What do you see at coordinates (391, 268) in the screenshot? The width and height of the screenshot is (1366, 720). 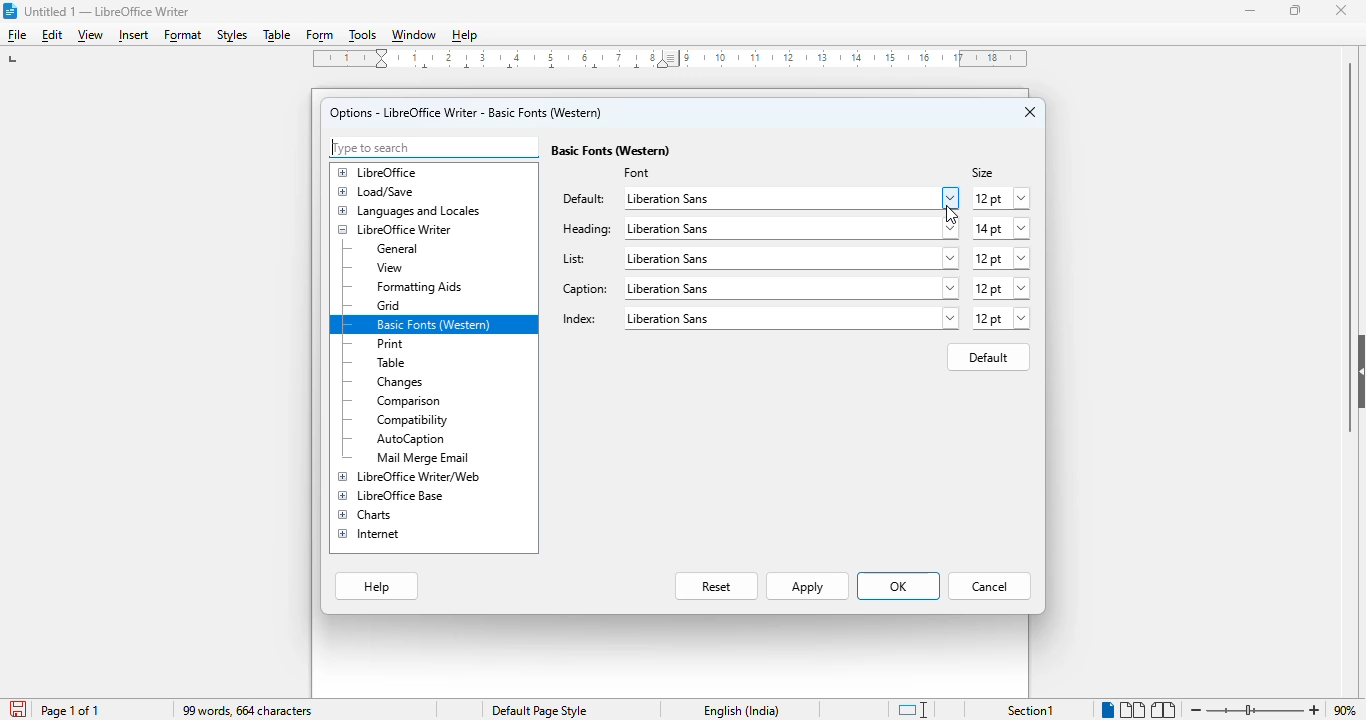 I see `view` at bounding box center [391, 268].